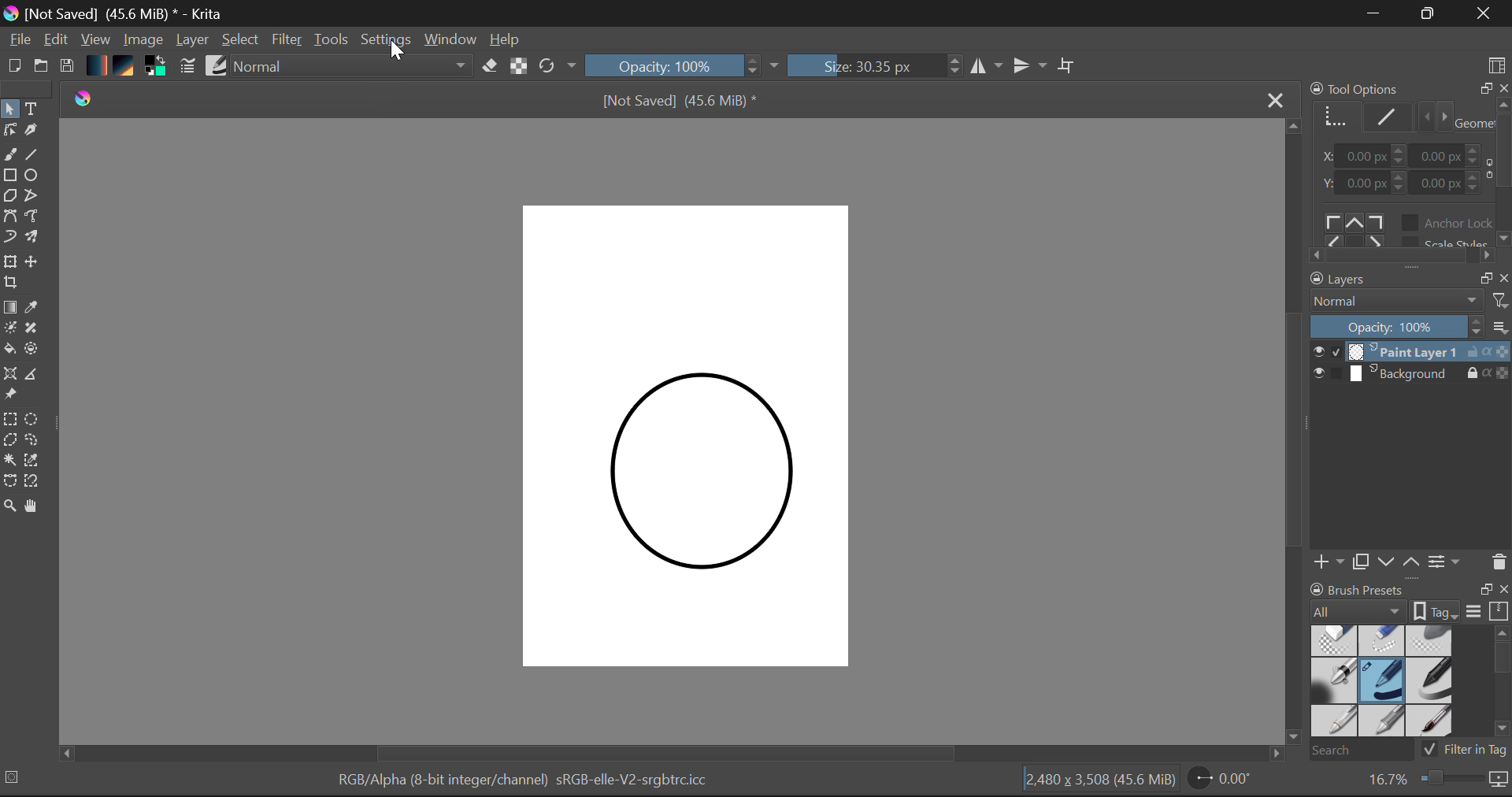  I want to click on Brush Presets, so click(217, 67).